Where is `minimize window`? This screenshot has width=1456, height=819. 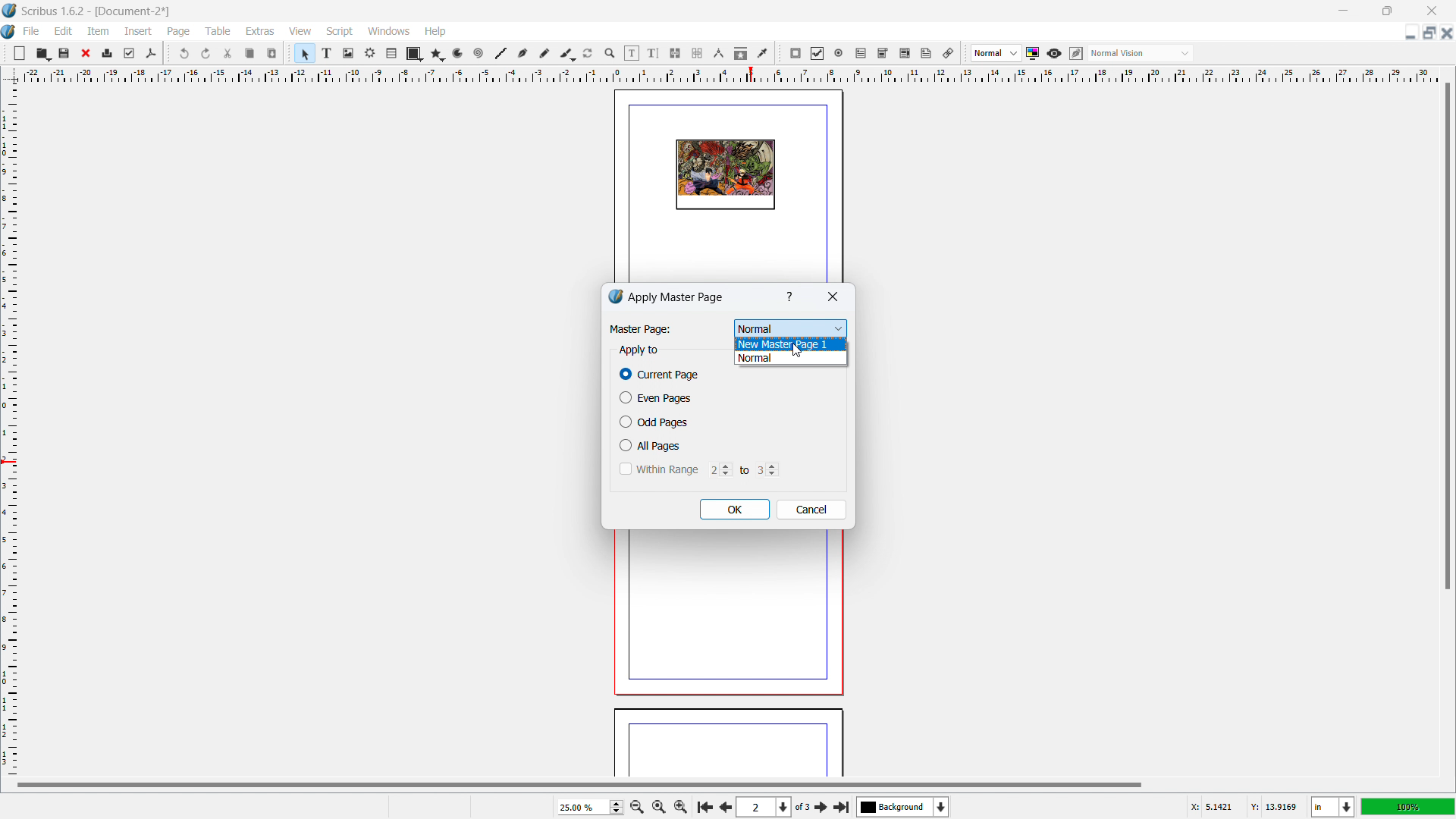 minimize window is located at coordinates (1341, 11).